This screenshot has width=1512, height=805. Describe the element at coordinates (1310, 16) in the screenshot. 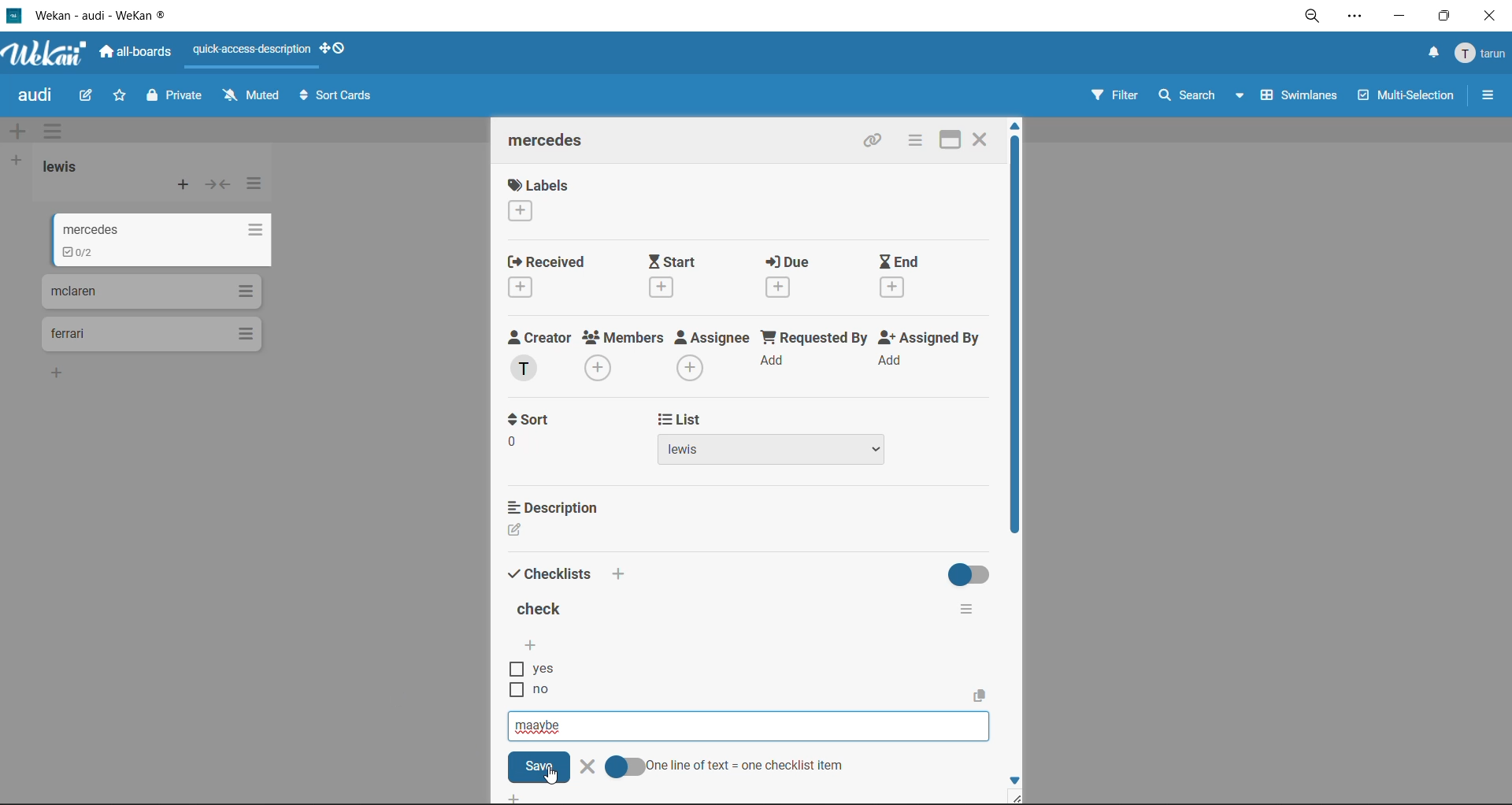

I see `zoom` at that location.